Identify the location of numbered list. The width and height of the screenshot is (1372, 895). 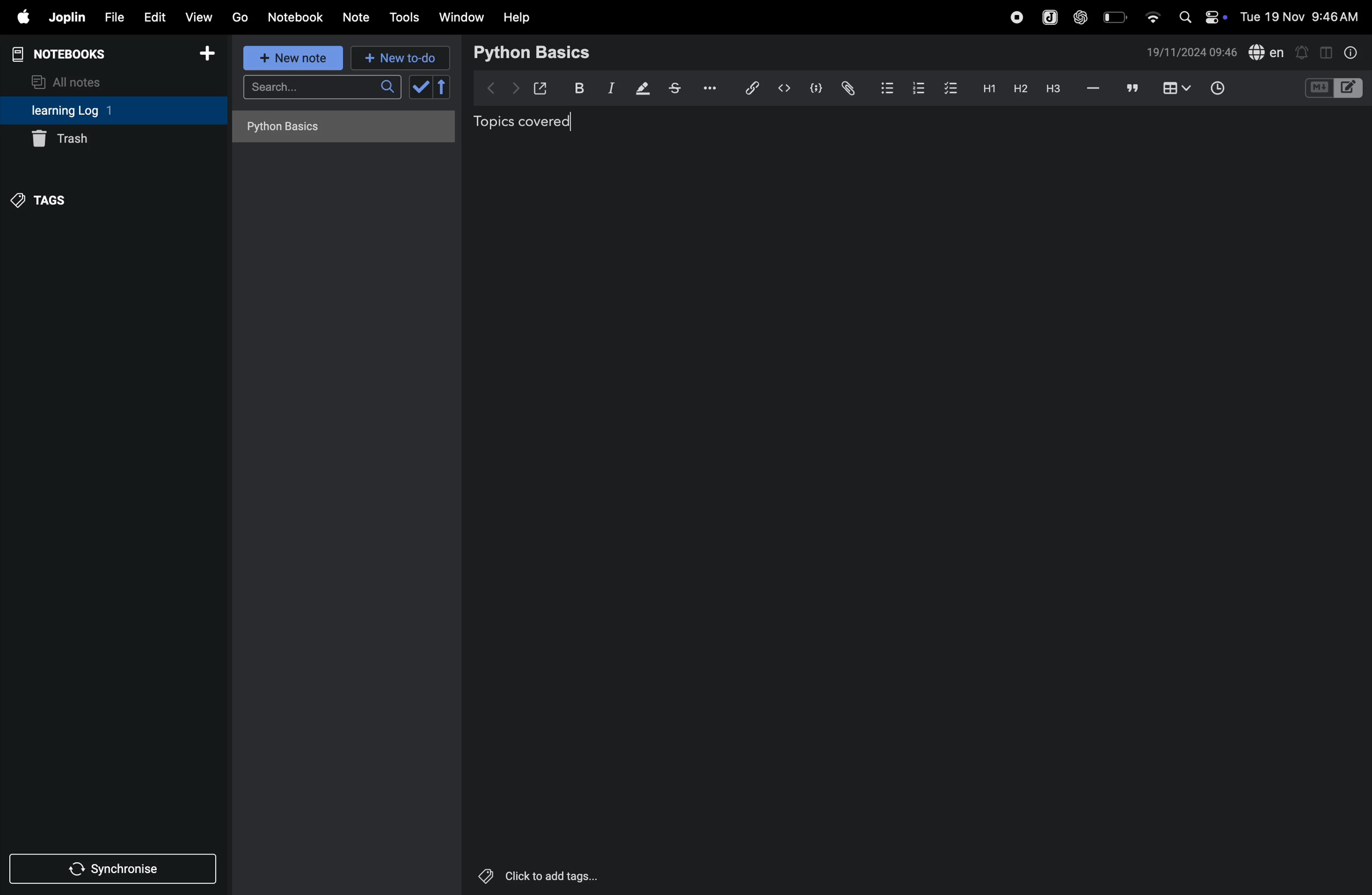
(915, 87).